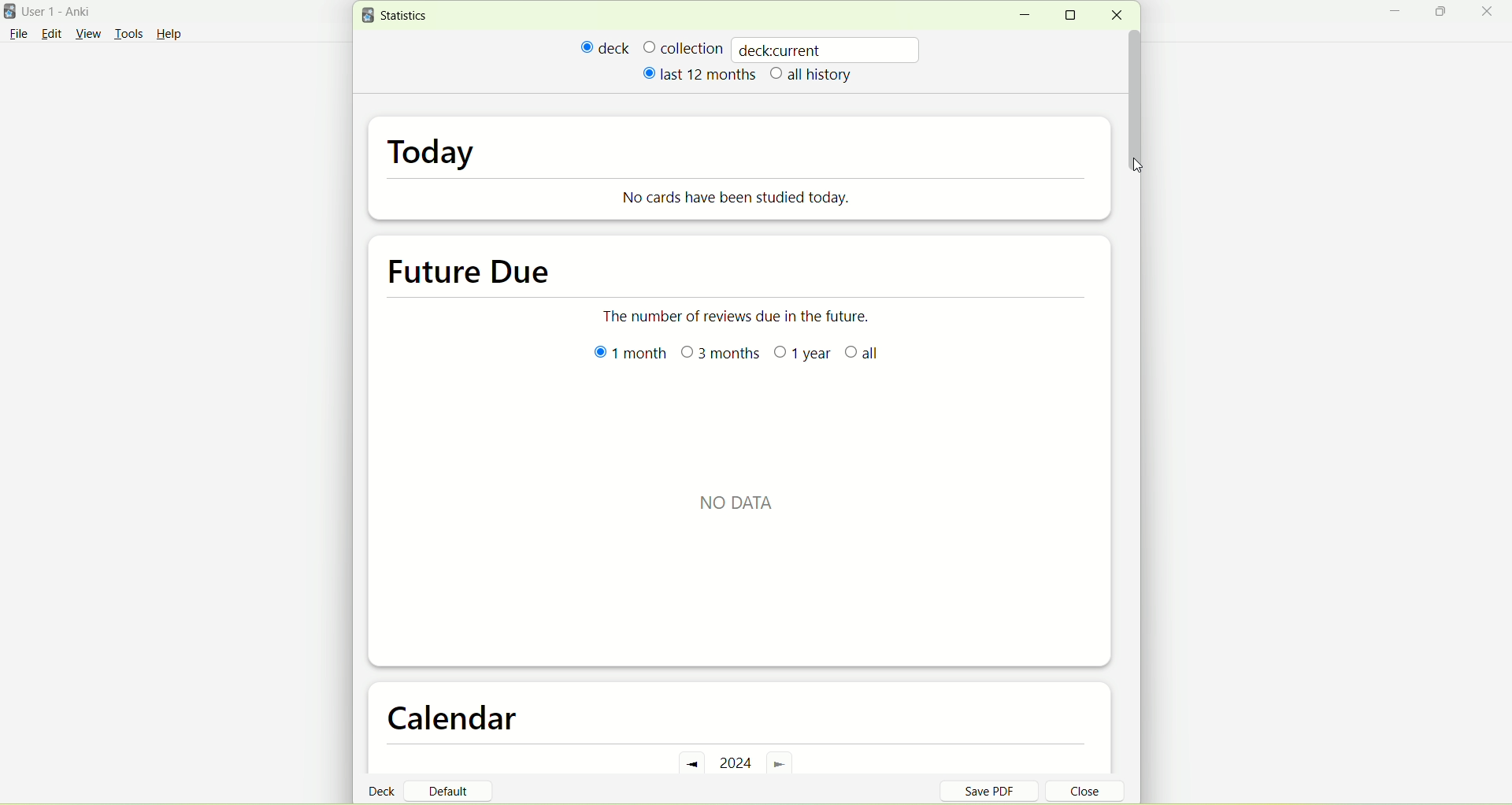 The image size is (1512, 805). What do you see at coordinates (18, 34) in the screenshot?
I see `File ` at bounding box center [18, 34].